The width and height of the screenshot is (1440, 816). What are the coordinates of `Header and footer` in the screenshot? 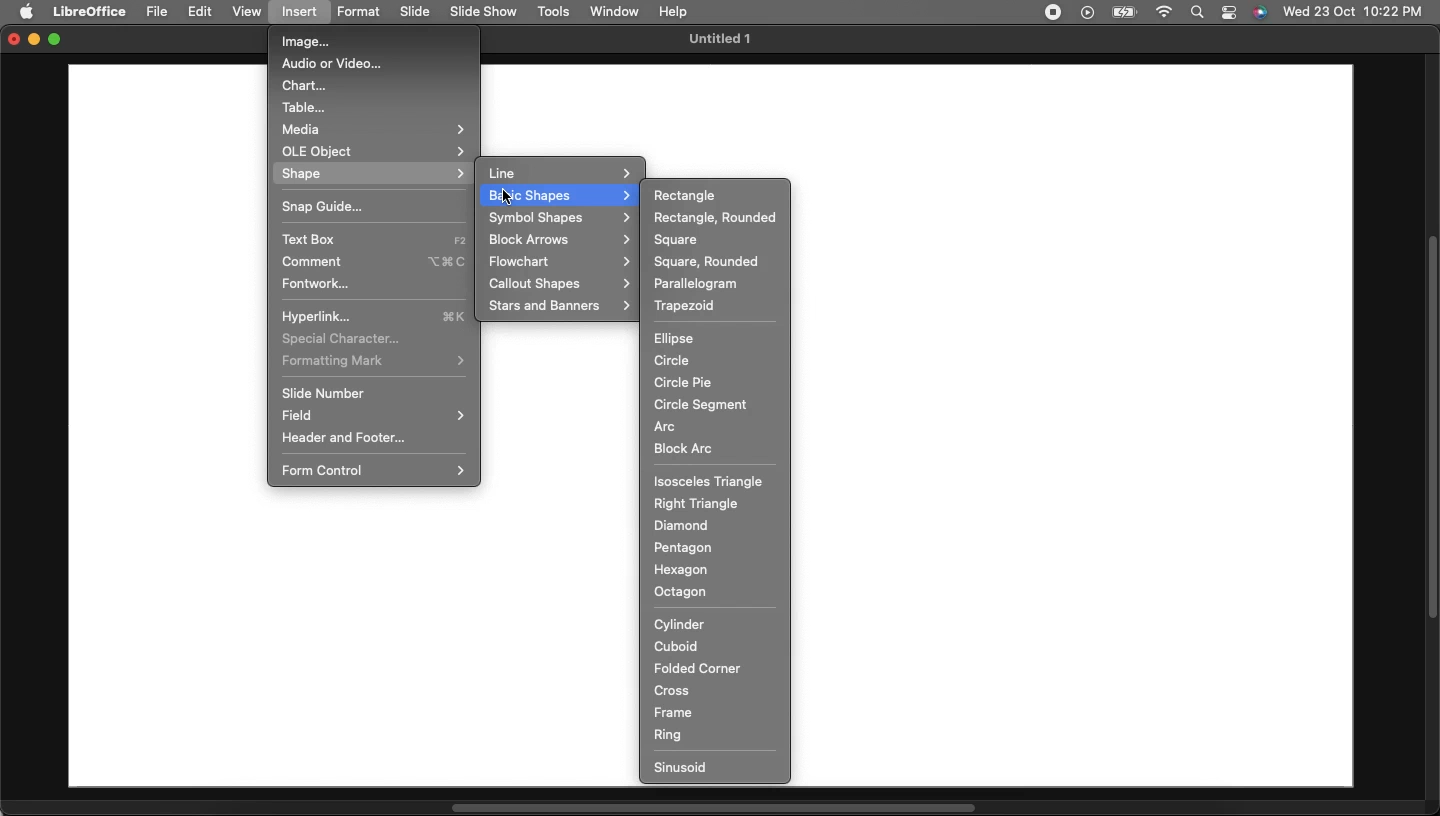 It's located at (344, 437).